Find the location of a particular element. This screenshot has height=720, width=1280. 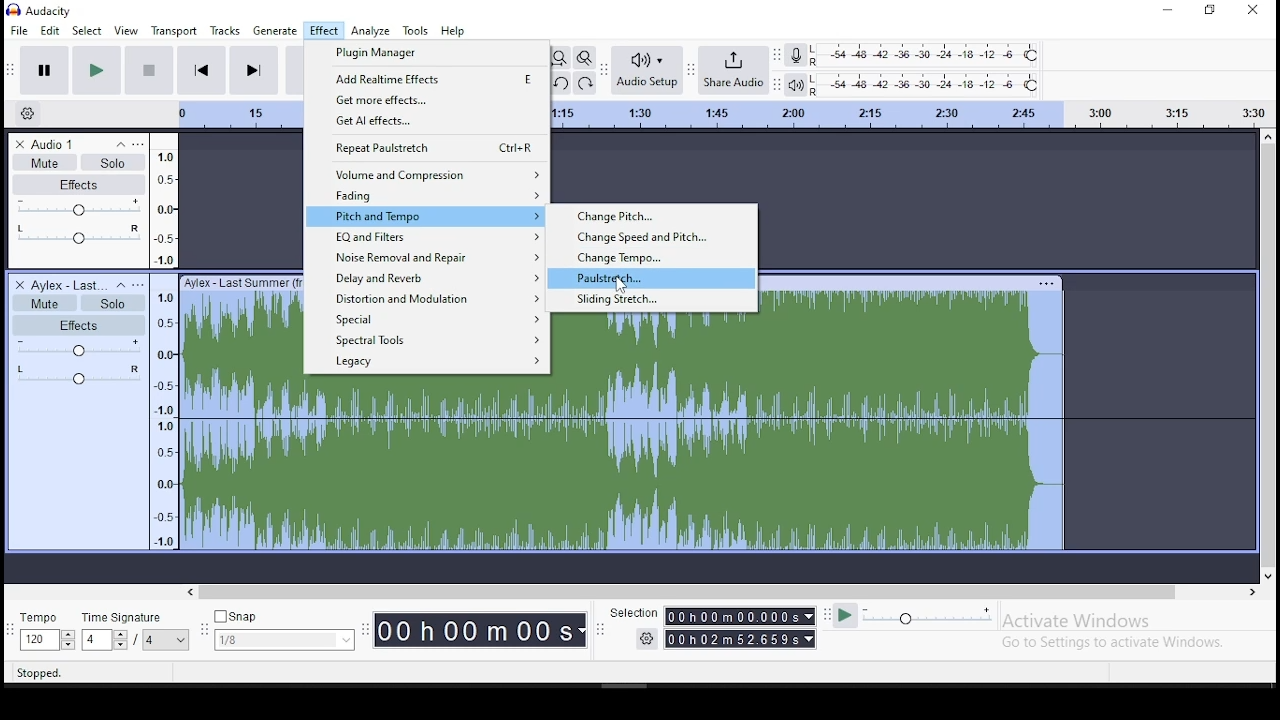

volume is located at coordinates (80, 210).